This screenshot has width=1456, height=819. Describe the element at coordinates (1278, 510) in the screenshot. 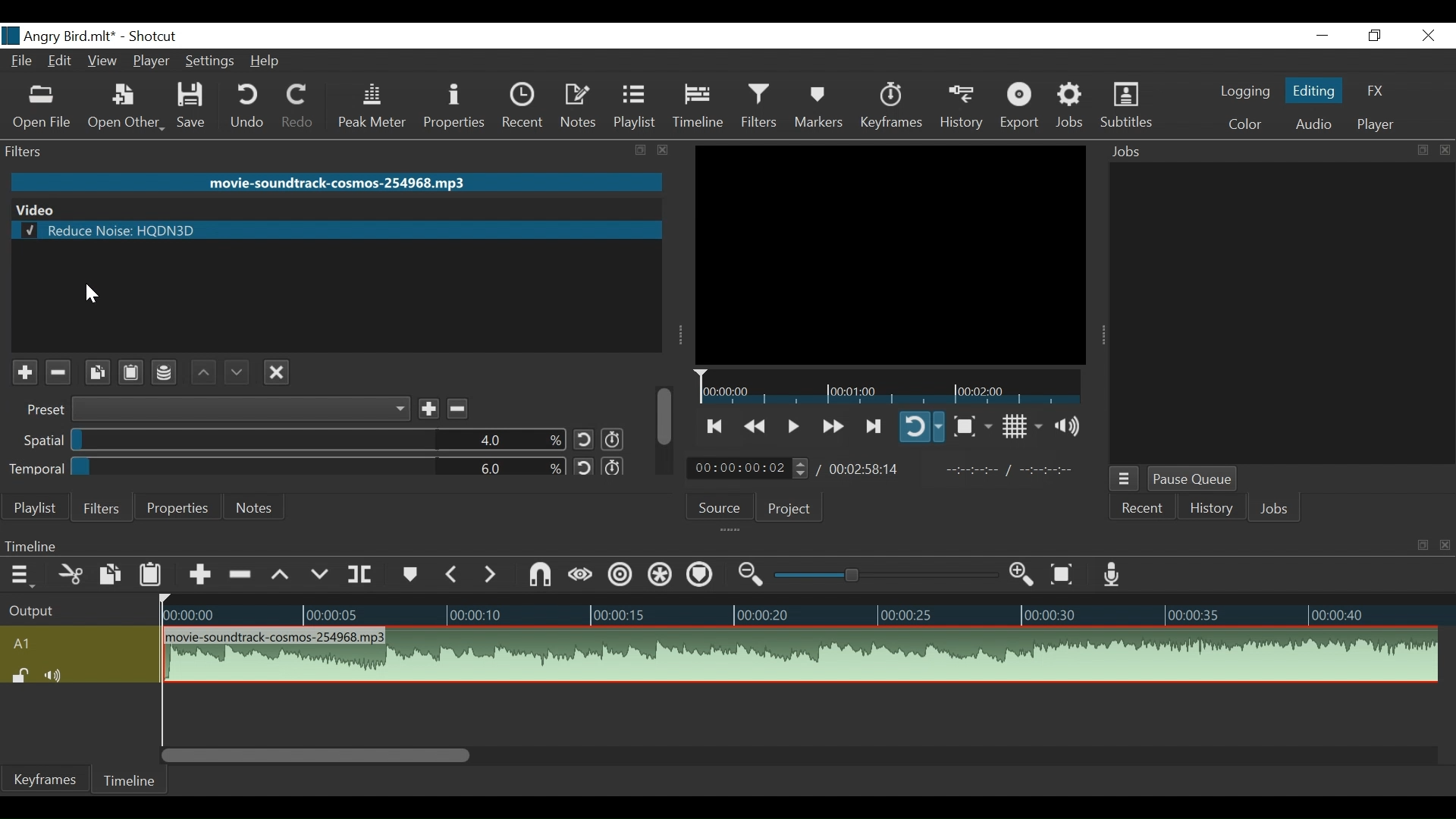

I see `Jobs` at that location.